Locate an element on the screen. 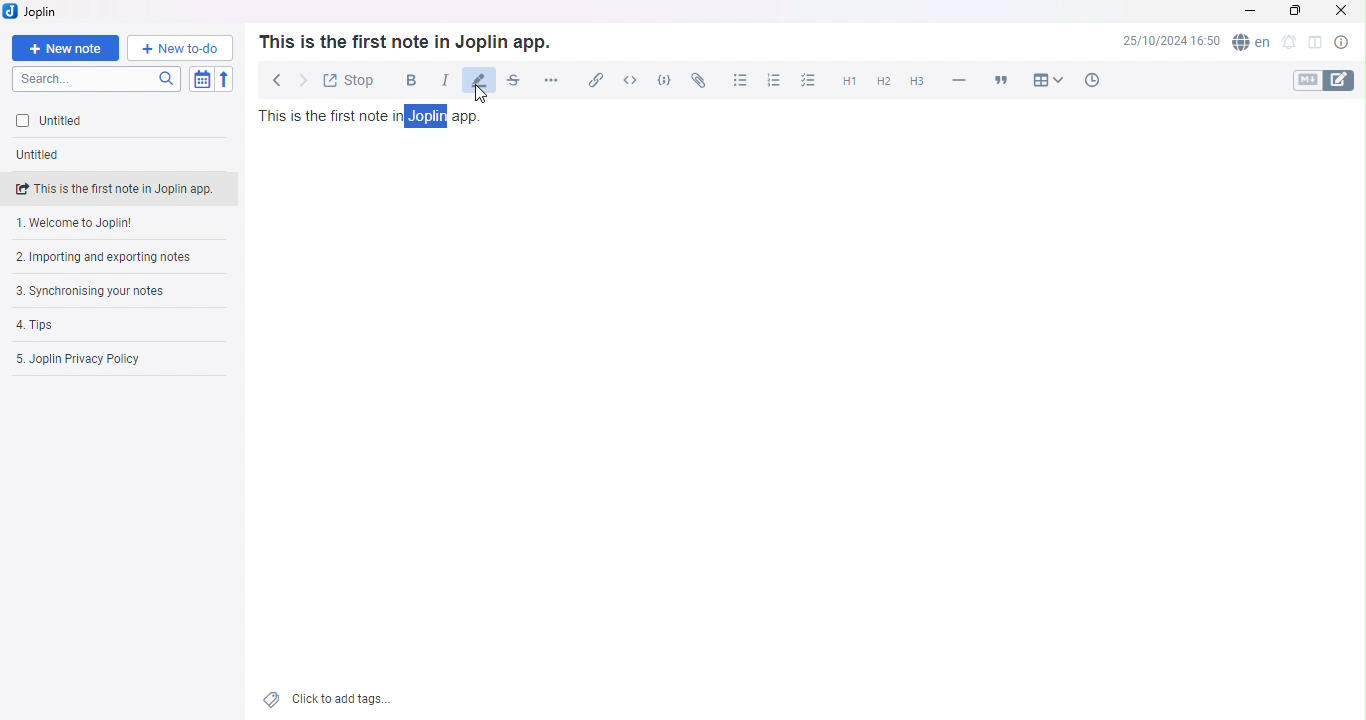 The width and height of the screenshot is (1366, 720). More options is located at coordinates (554, 79).